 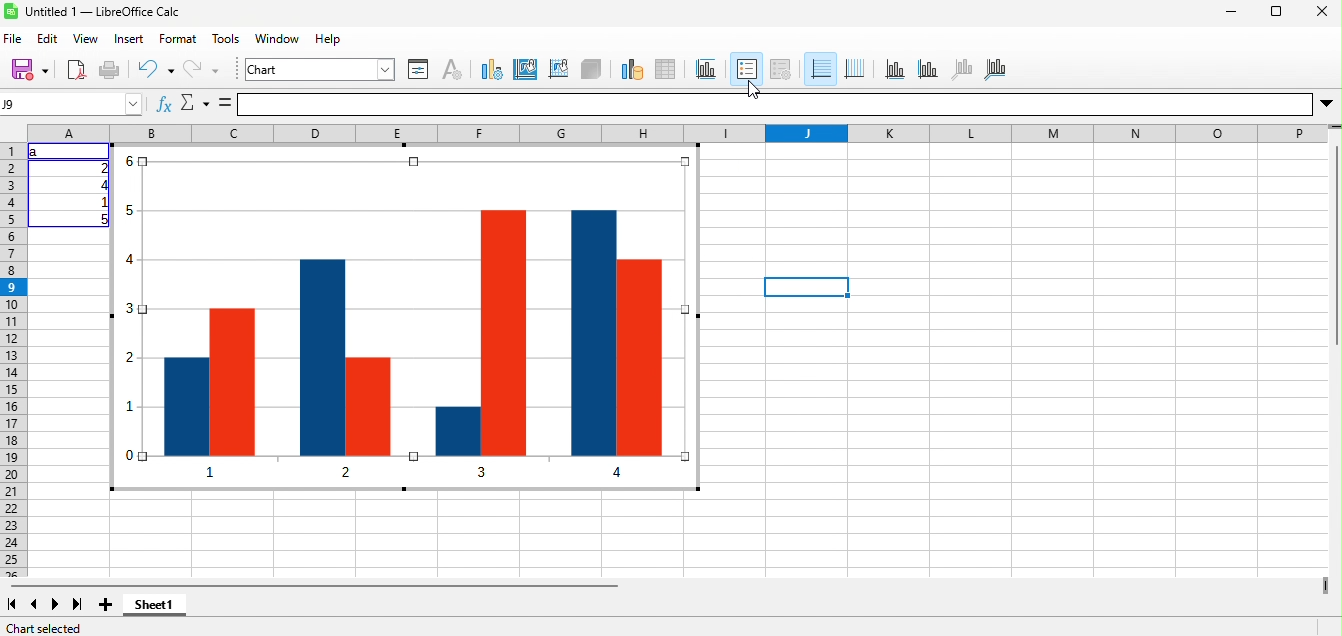 What do you see at coordinates (103, 168) in the screenshot?
I see `2` at bounding box center [103, 168].